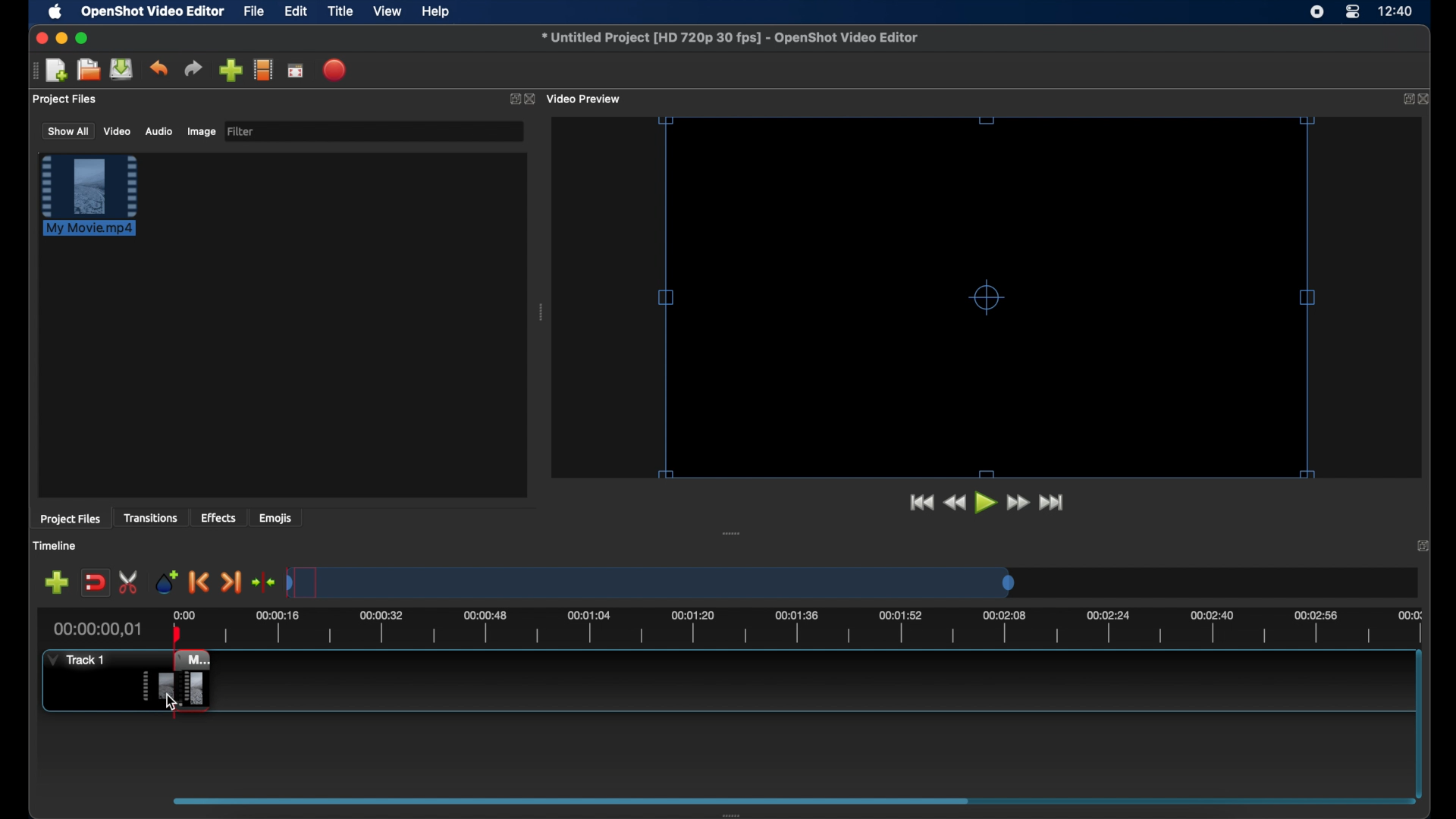  I want to click on image, so click(200, 132).